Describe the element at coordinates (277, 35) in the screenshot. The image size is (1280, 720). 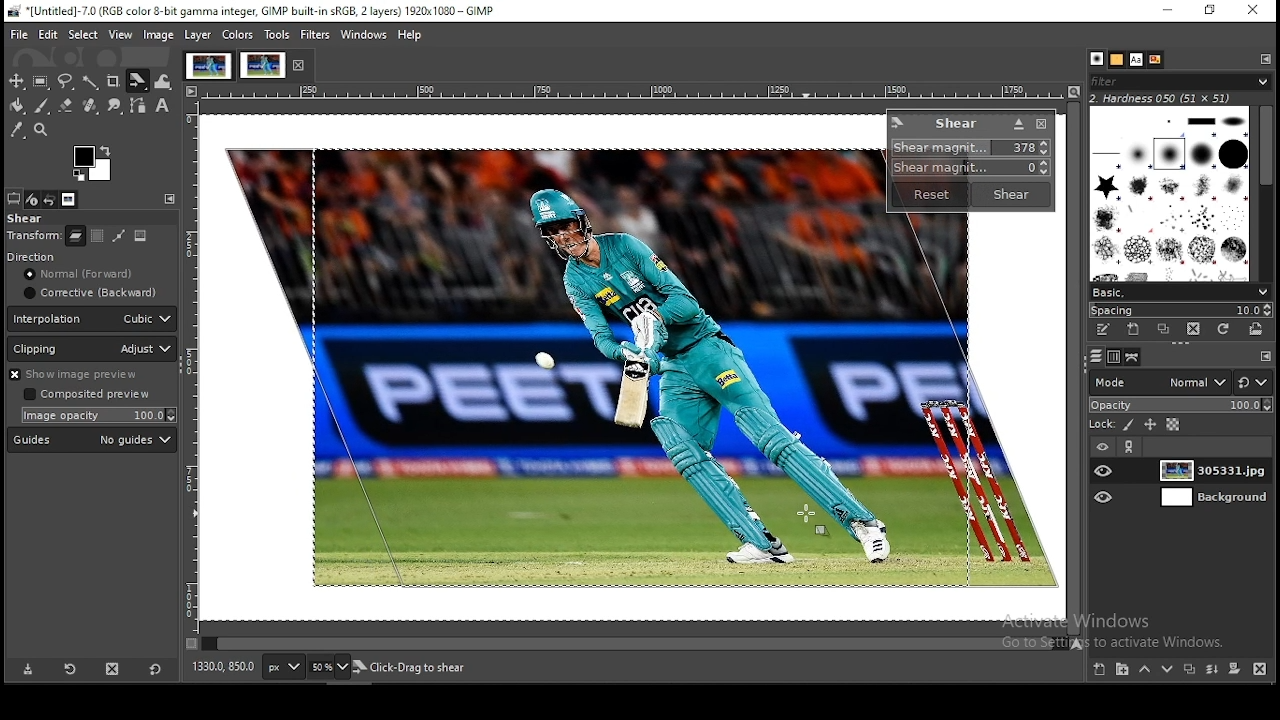
I see `tools` at that location.